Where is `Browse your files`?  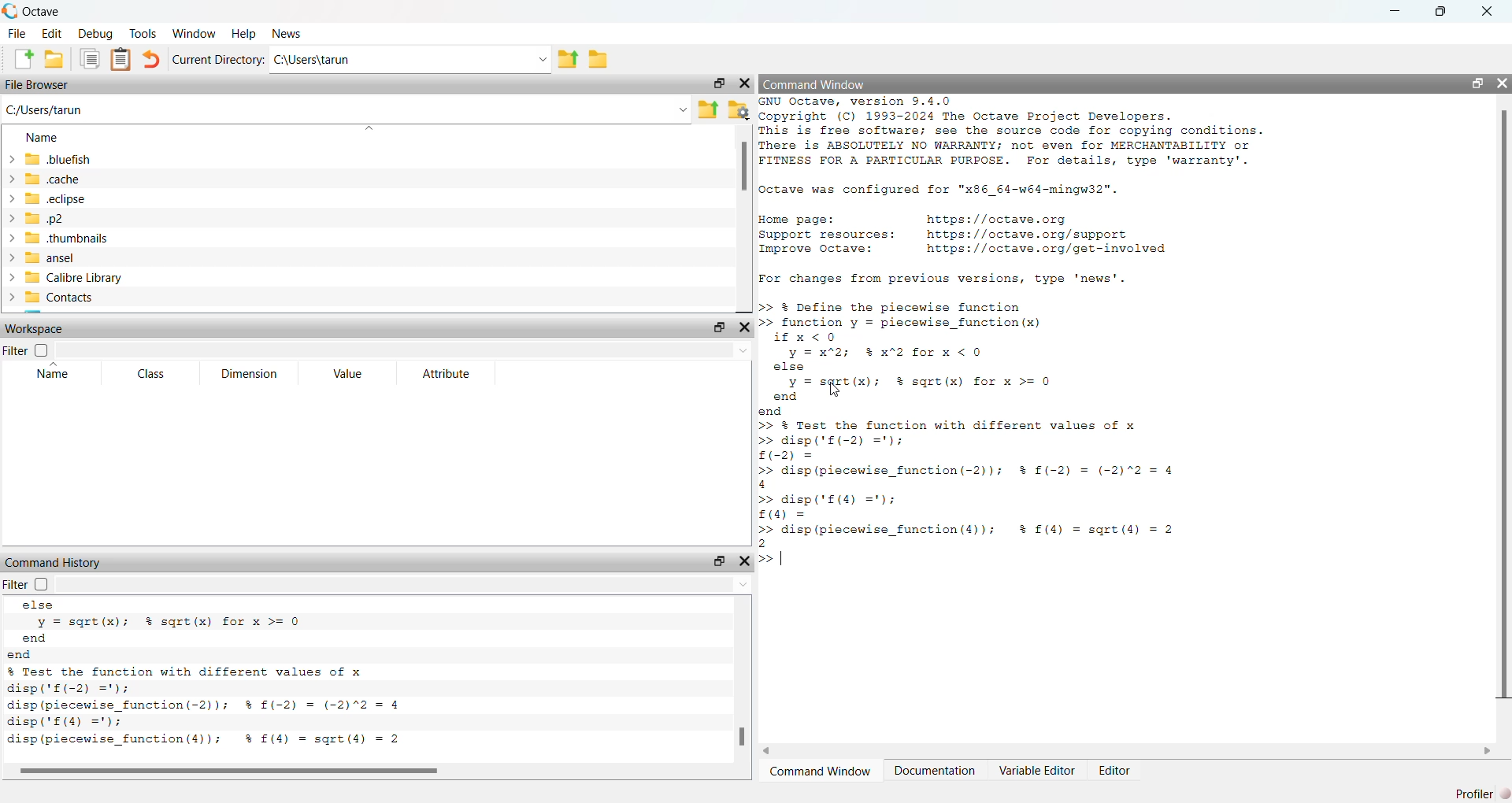
Browse your files is located at coordinates (737, 109).